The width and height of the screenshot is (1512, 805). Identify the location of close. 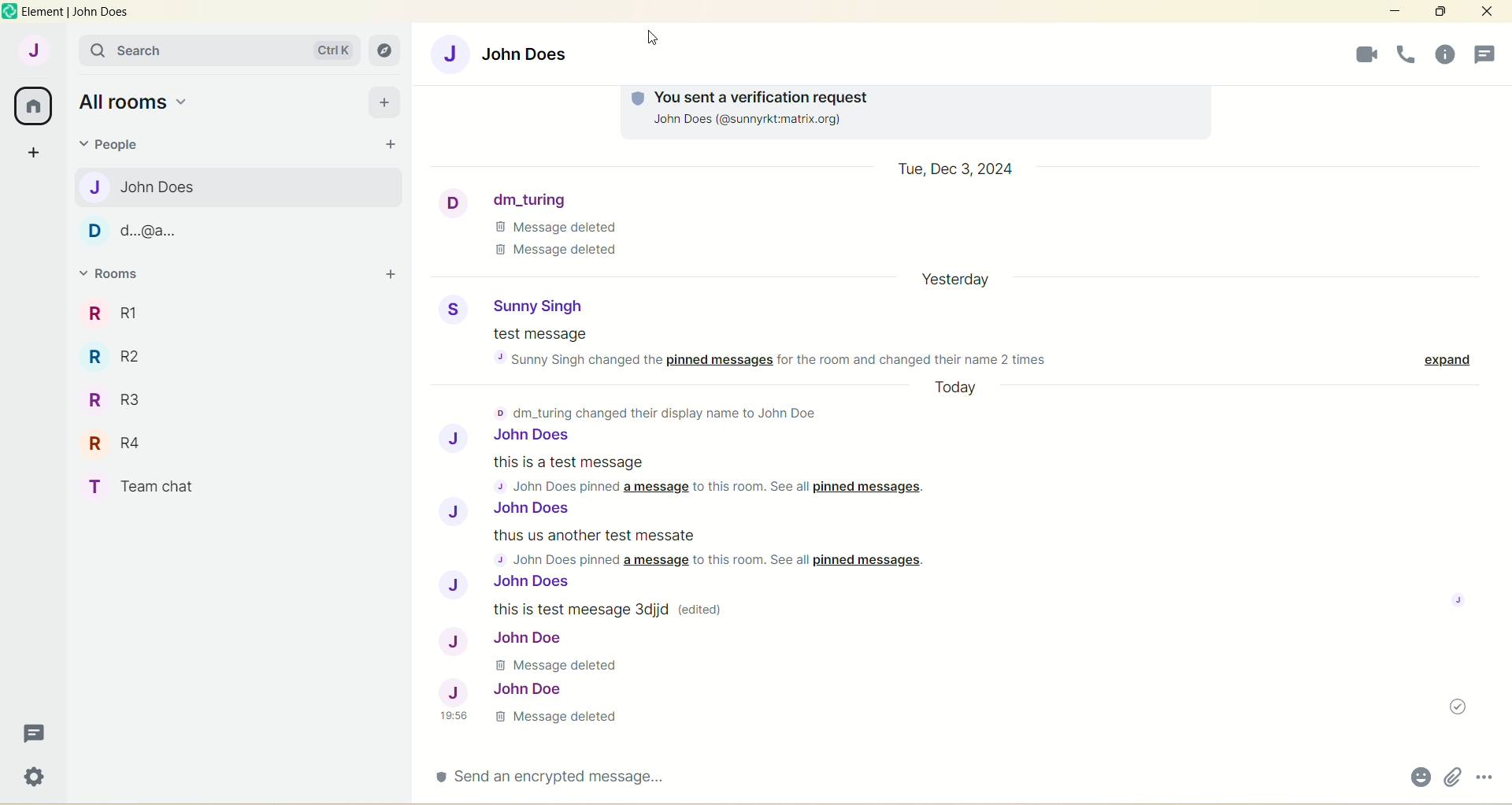
(1483, 13).